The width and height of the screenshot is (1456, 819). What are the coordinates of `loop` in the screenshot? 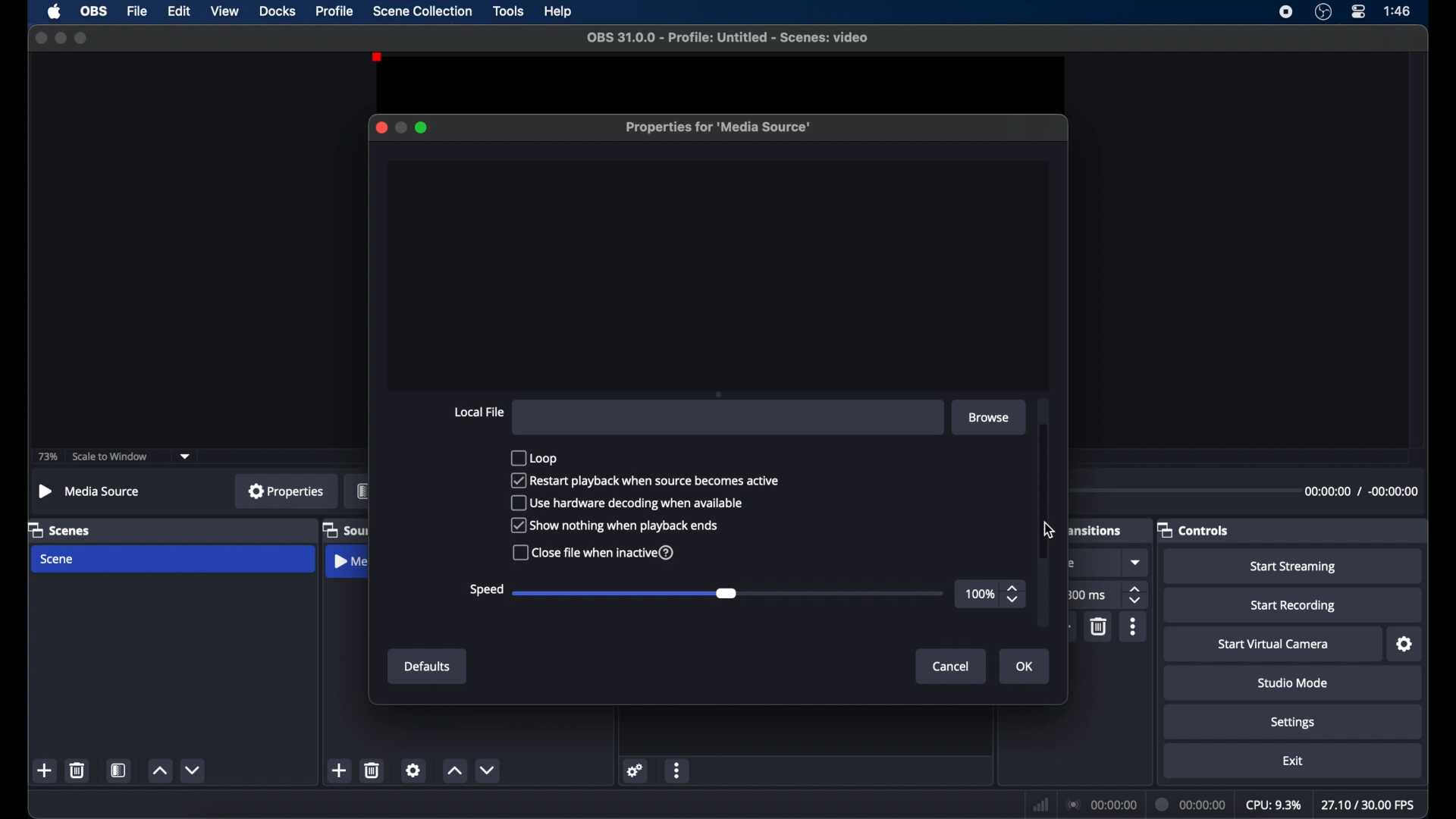 It's located at (533, 457).